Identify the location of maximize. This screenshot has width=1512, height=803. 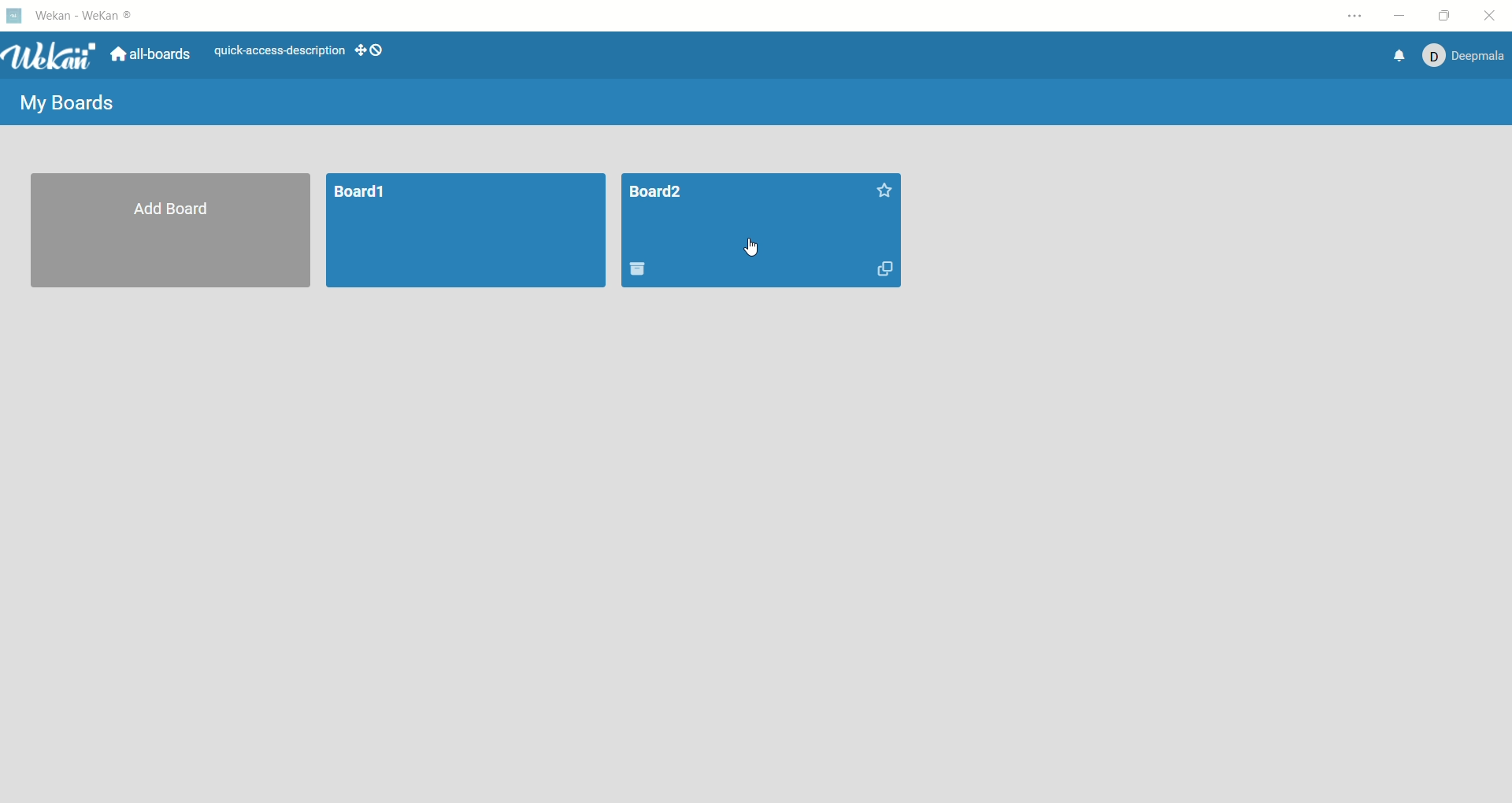
(1447, 12).